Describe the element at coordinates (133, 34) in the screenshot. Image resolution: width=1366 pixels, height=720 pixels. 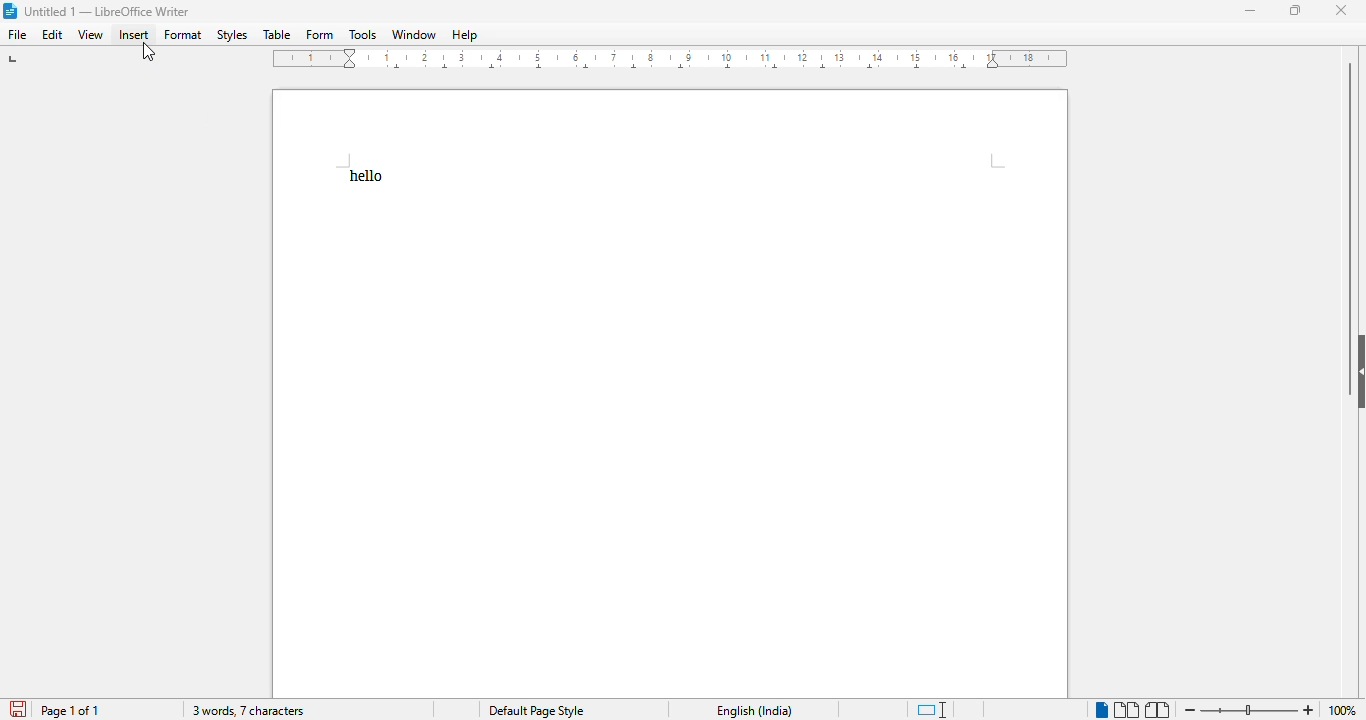
I see `insert` at that location.